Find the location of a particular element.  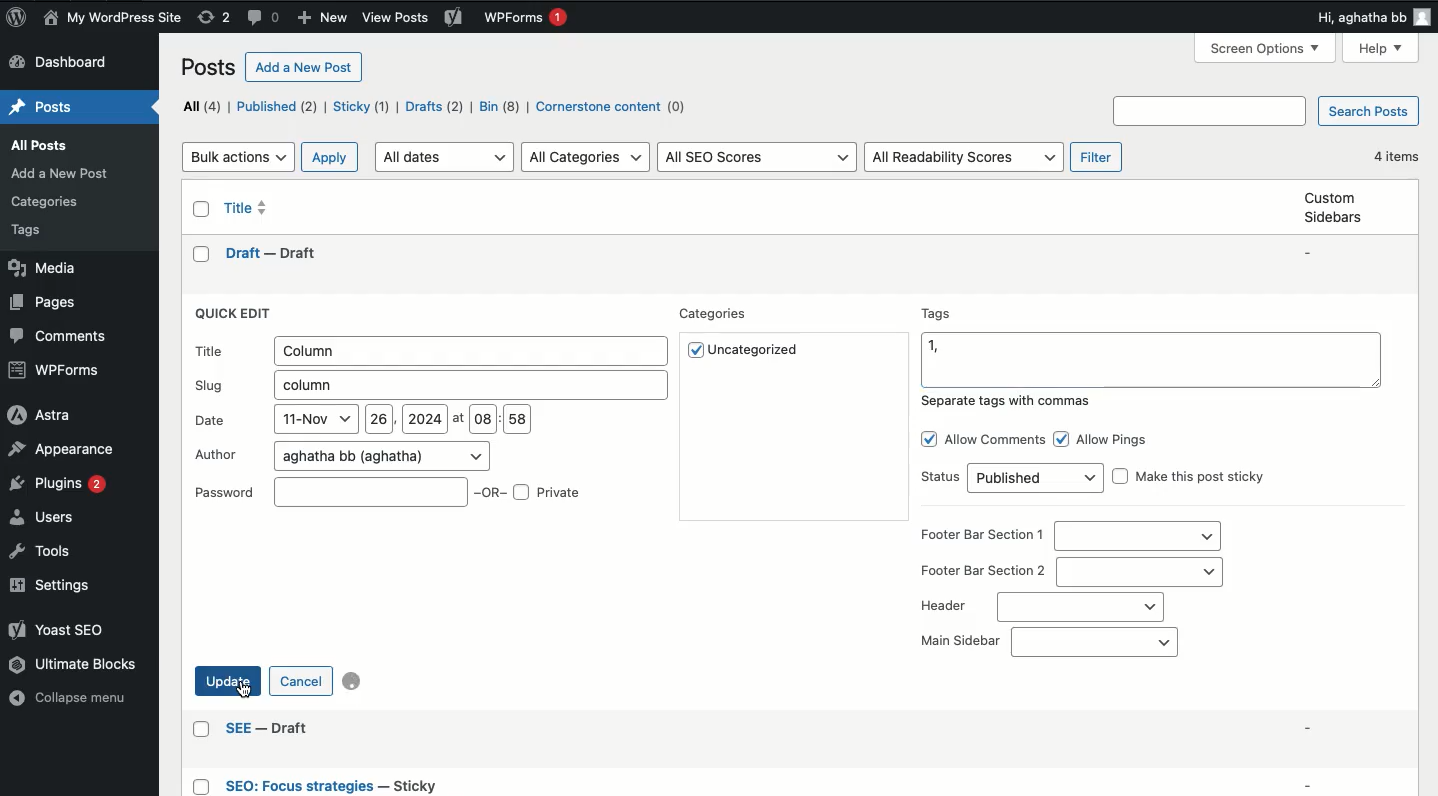

 is located at coordinates (61, 174).